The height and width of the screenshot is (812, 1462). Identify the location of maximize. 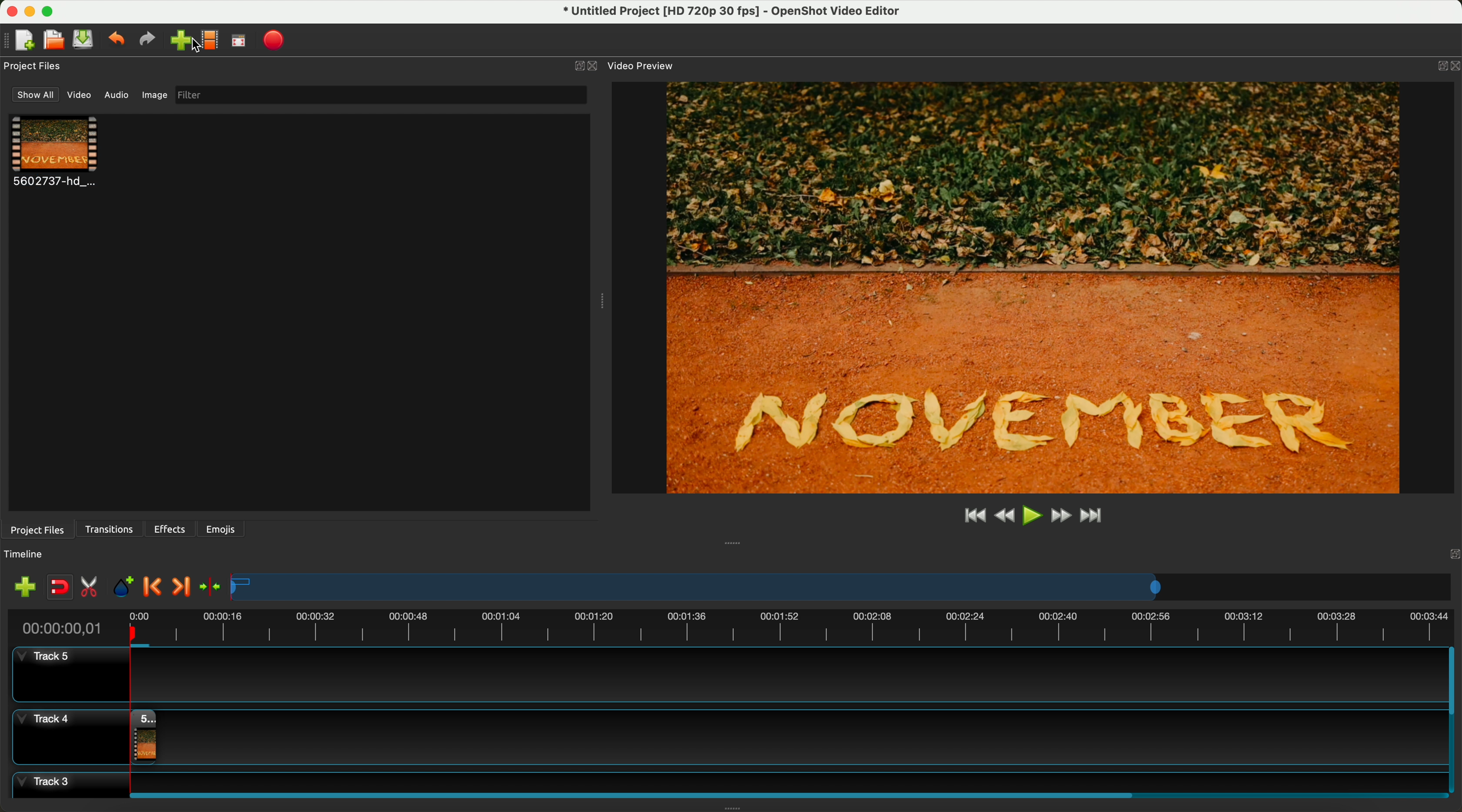
(52, 10).